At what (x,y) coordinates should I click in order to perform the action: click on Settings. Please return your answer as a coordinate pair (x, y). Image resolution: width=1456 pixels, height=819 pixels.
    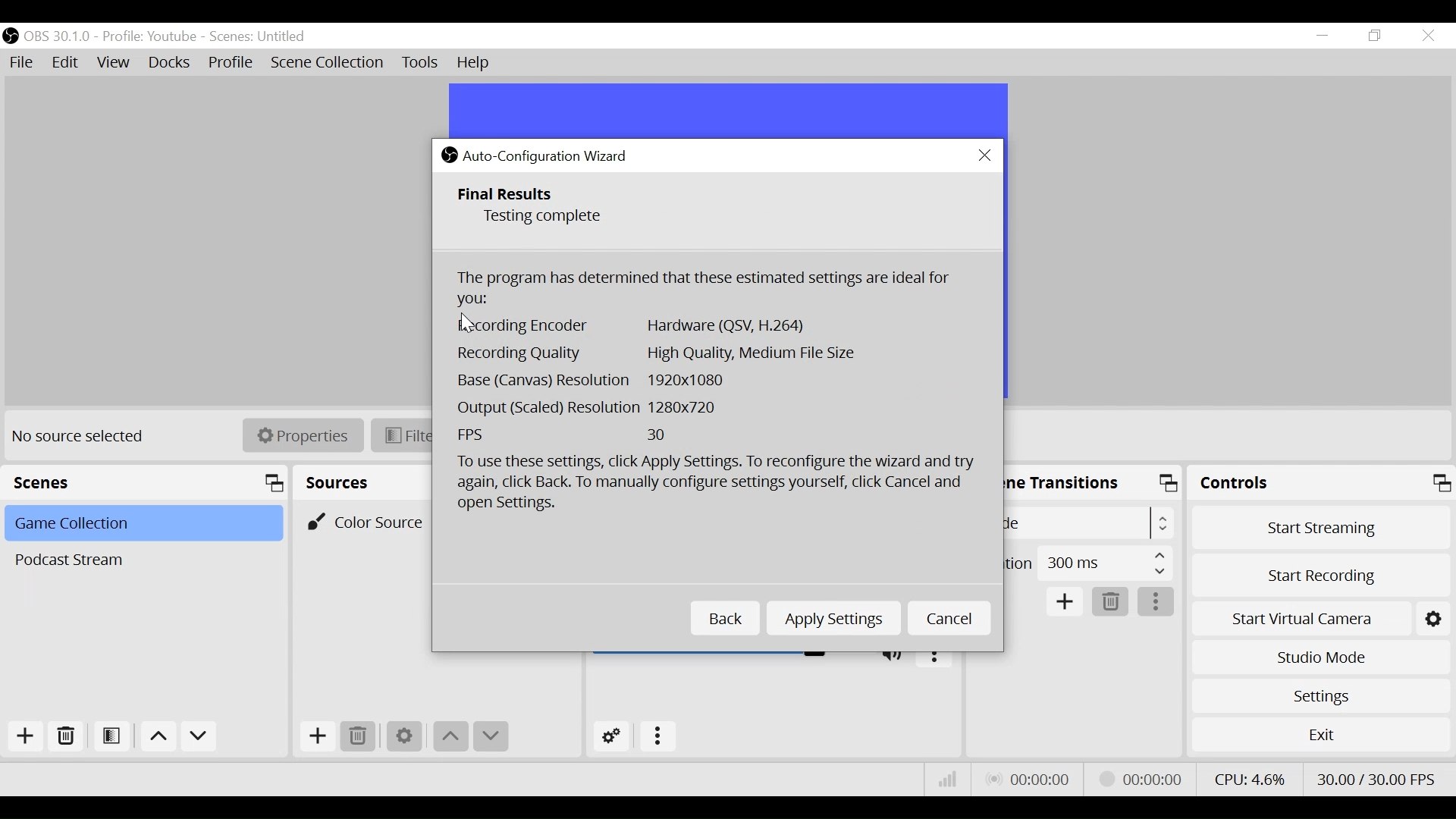
    Looking at the image, I should click on (1318, 696).